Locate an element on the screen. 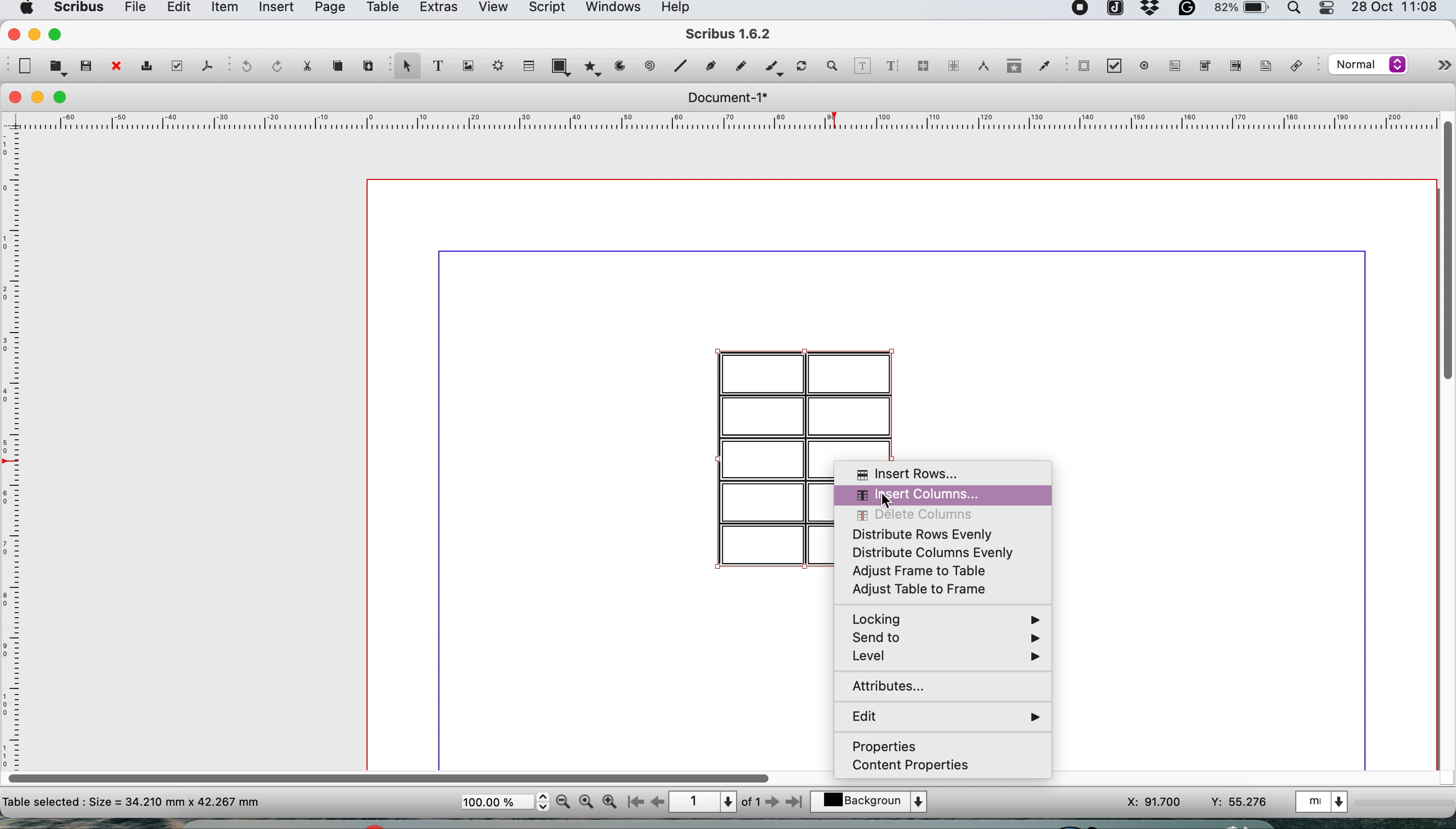 Image resolution: width=1456 pixels, height=829 pixels. text annotation is located at coordinates (1264, 65).